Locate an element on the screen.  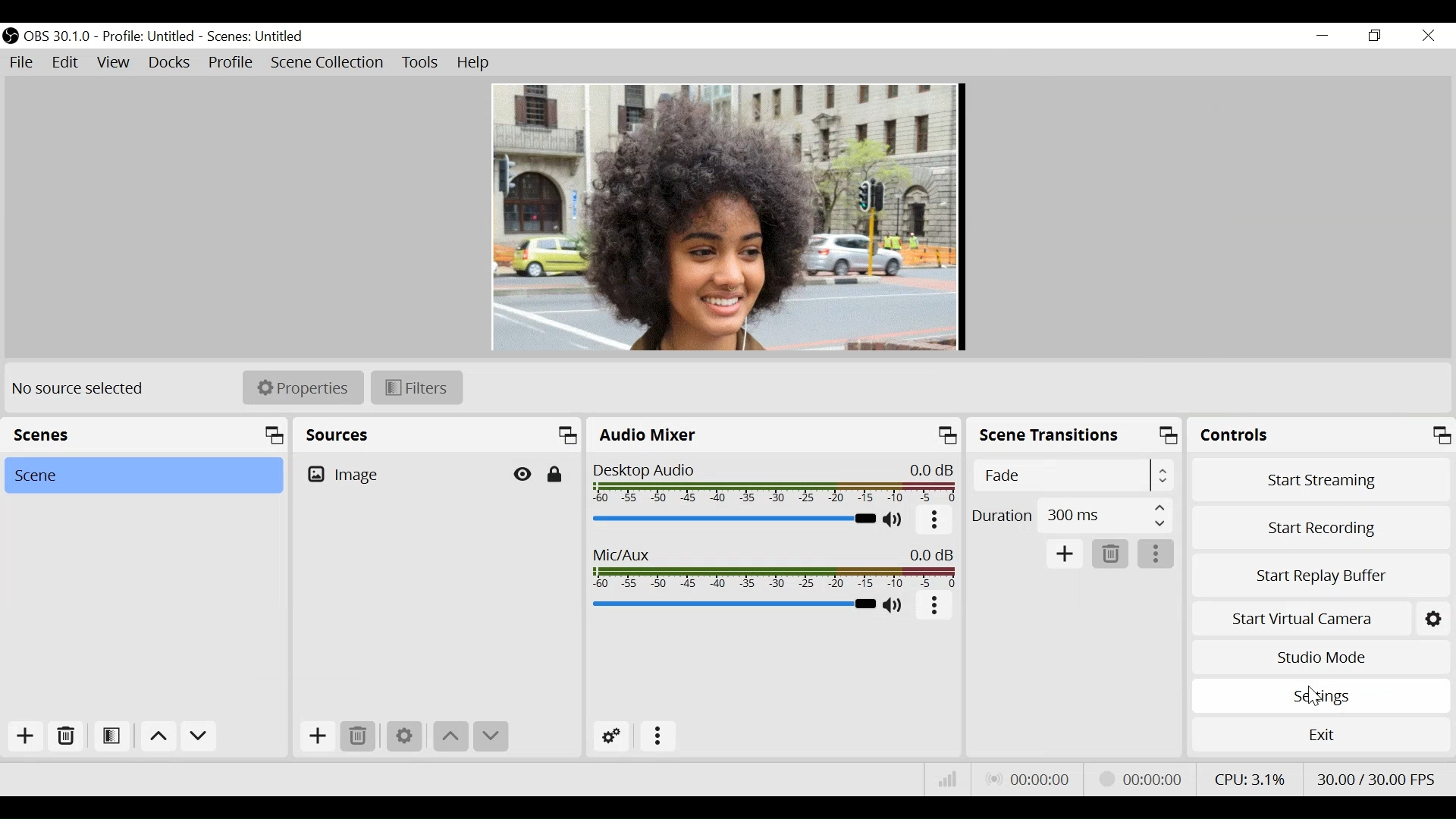
OBS Studio Desktop Icon is located at coordinates (11, 36).